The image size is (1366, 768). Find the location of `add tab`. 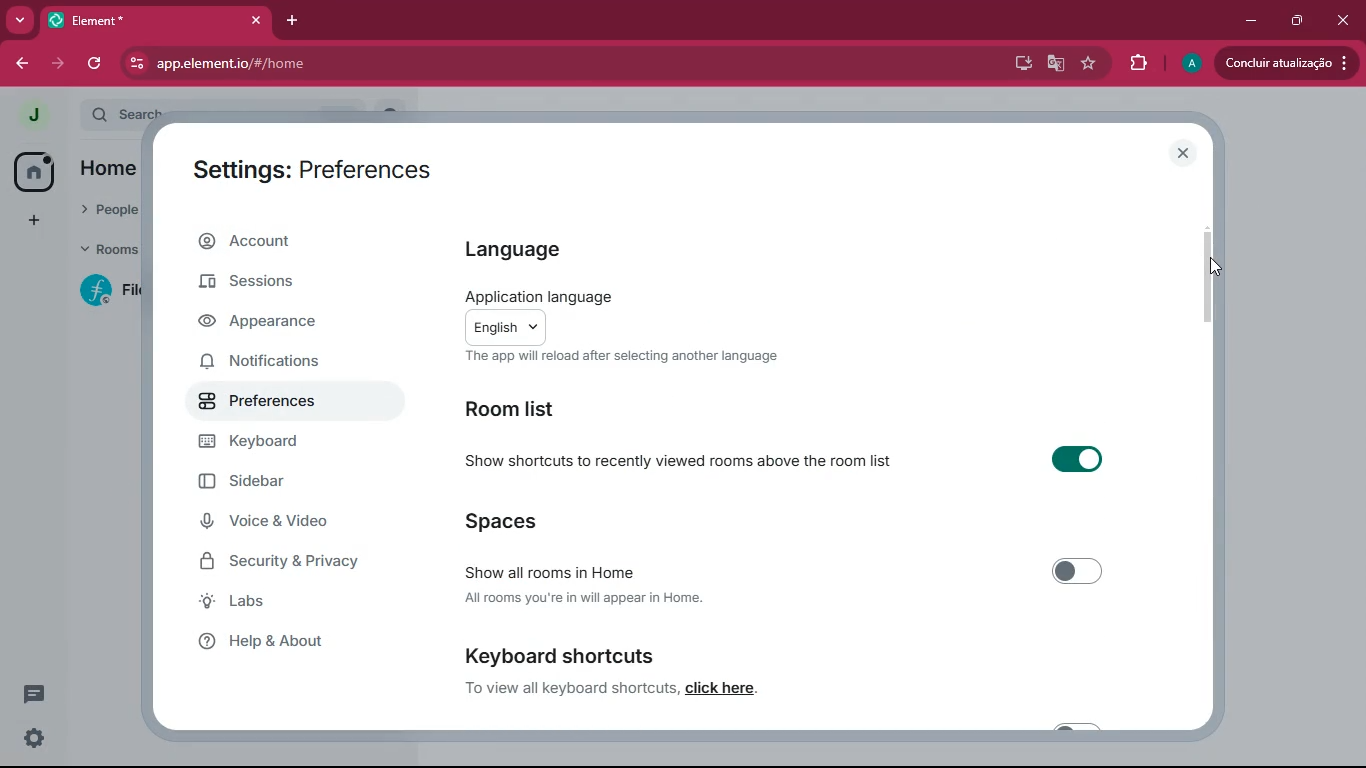

add tab is located at coordinates (295, 21).